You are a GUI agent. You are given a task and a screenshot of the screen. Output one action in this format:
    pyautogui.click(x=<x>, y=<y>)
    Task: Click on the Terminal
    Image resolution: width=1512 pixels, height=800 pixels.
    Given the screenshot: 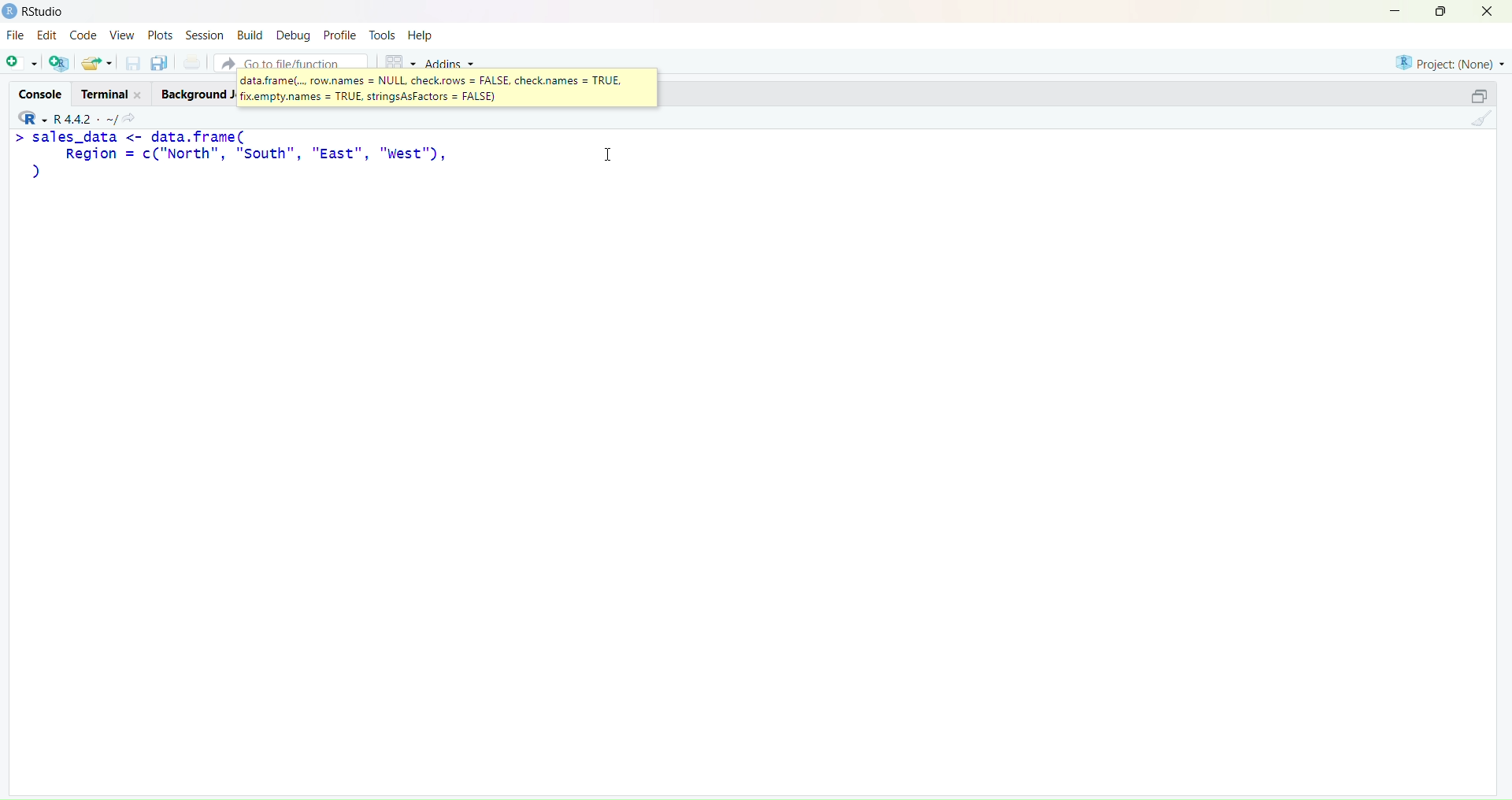 What is the action you would take?
    pyautogui.click(x=108, y=93)
    